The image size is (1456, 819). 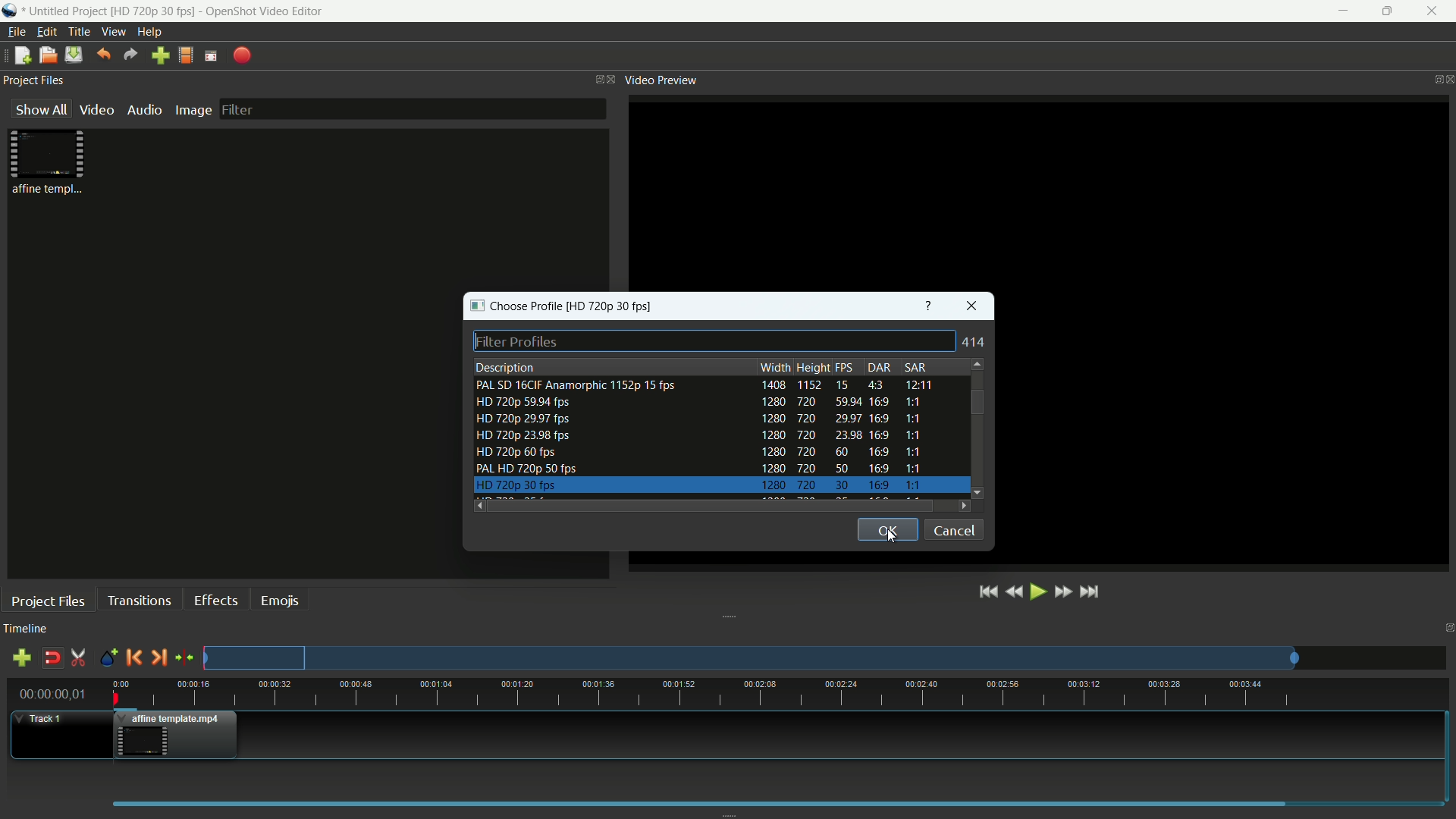 What do you see at coordinates (1062, 591) in the screenshot?
I see `fast forward` at bounding box center [1062, 591].